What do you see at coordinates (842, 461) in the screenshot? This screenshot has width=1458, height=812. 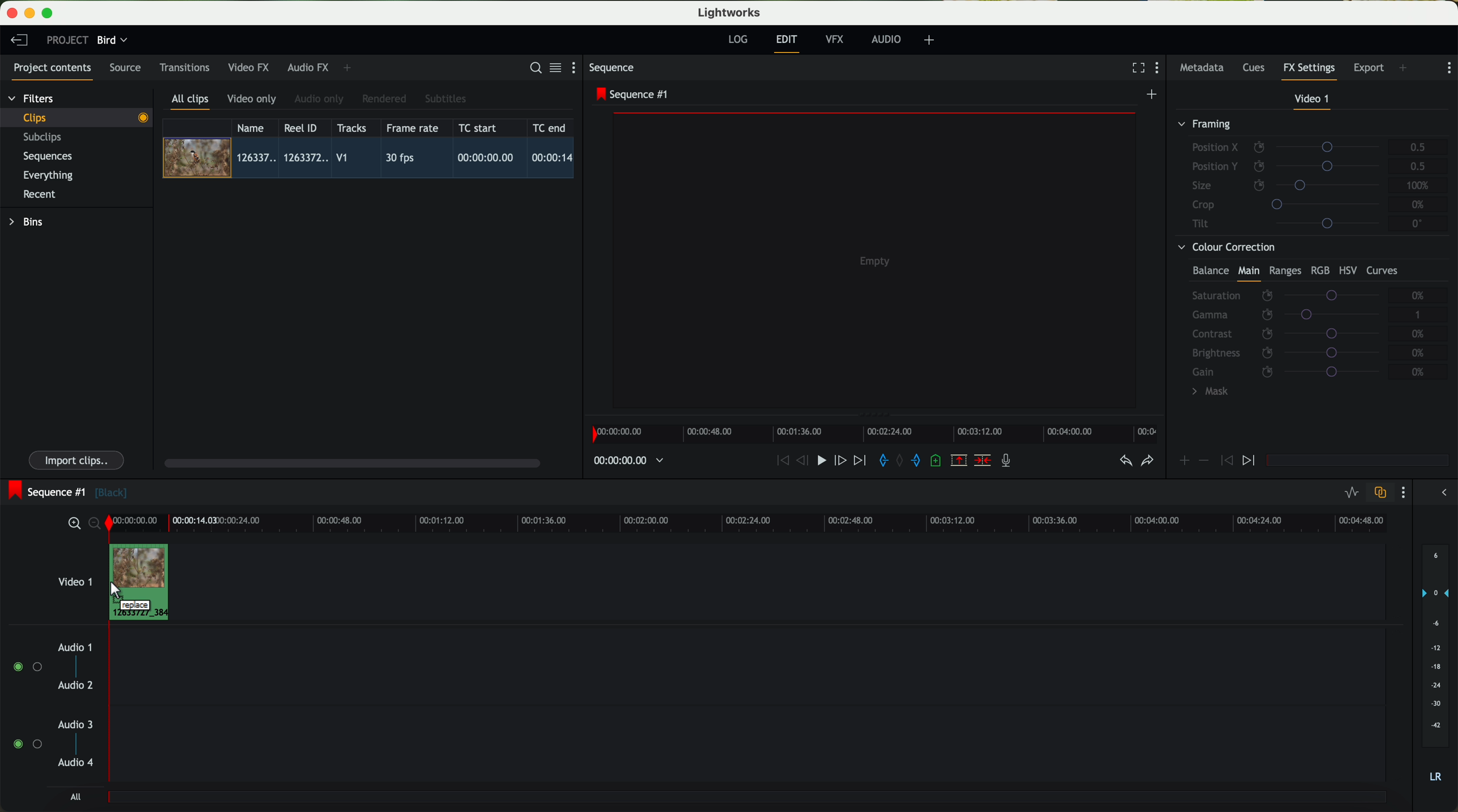 I see `nudge one frame foward` at bounding box center [842, 461].